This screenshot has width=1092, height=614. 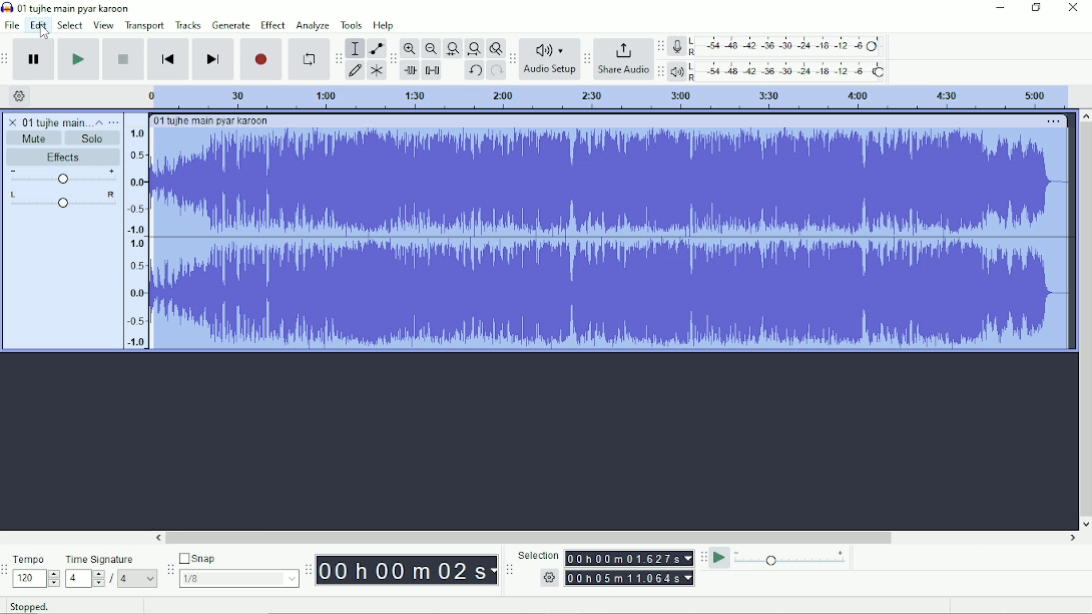 What do you see at coordinates (538, 554) in the screenshot?
I see `Selection` at bounding box center [538, 554].